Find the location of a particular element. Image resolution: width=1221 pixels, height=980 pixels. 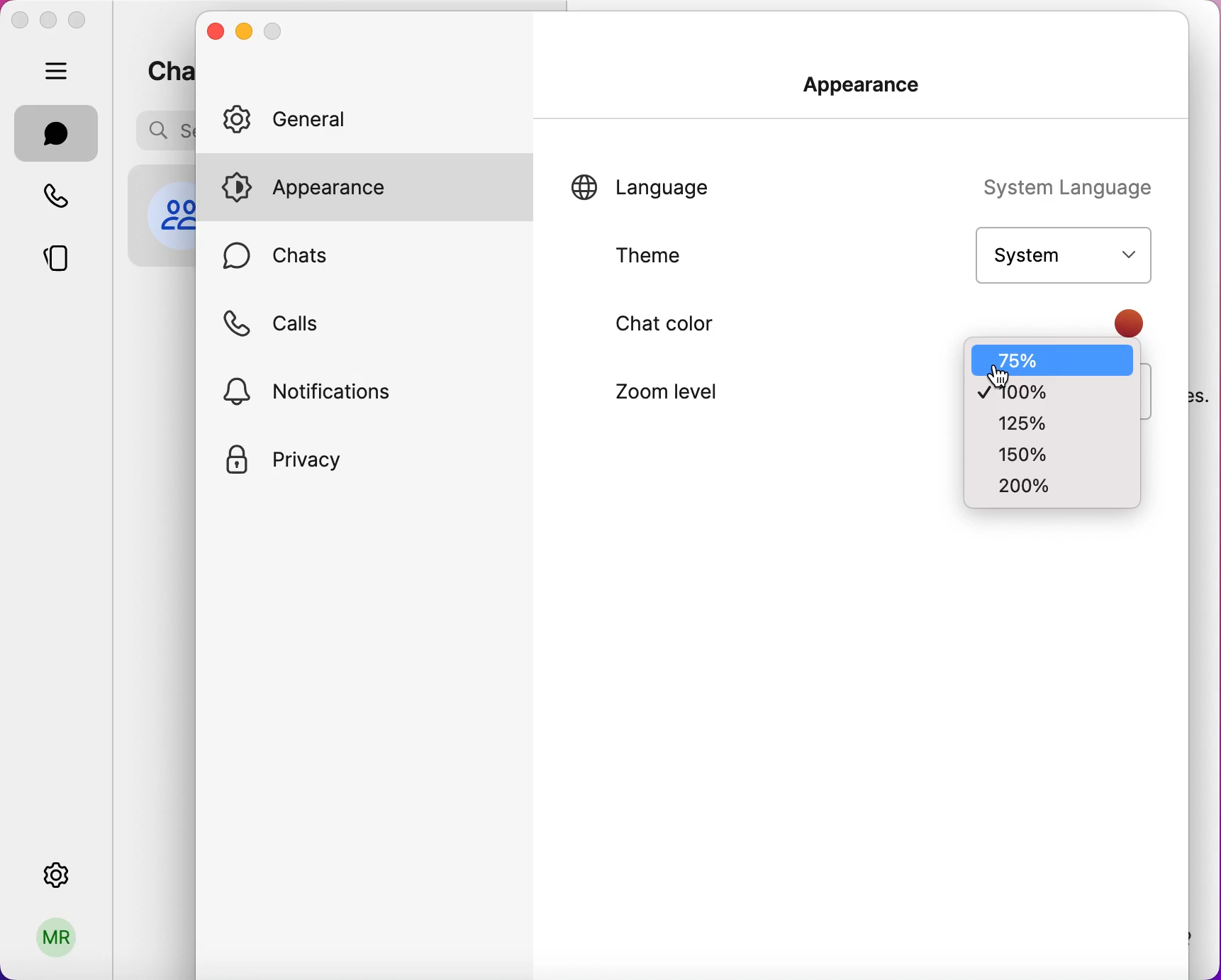

maximize is located at coordinates (84, 21).